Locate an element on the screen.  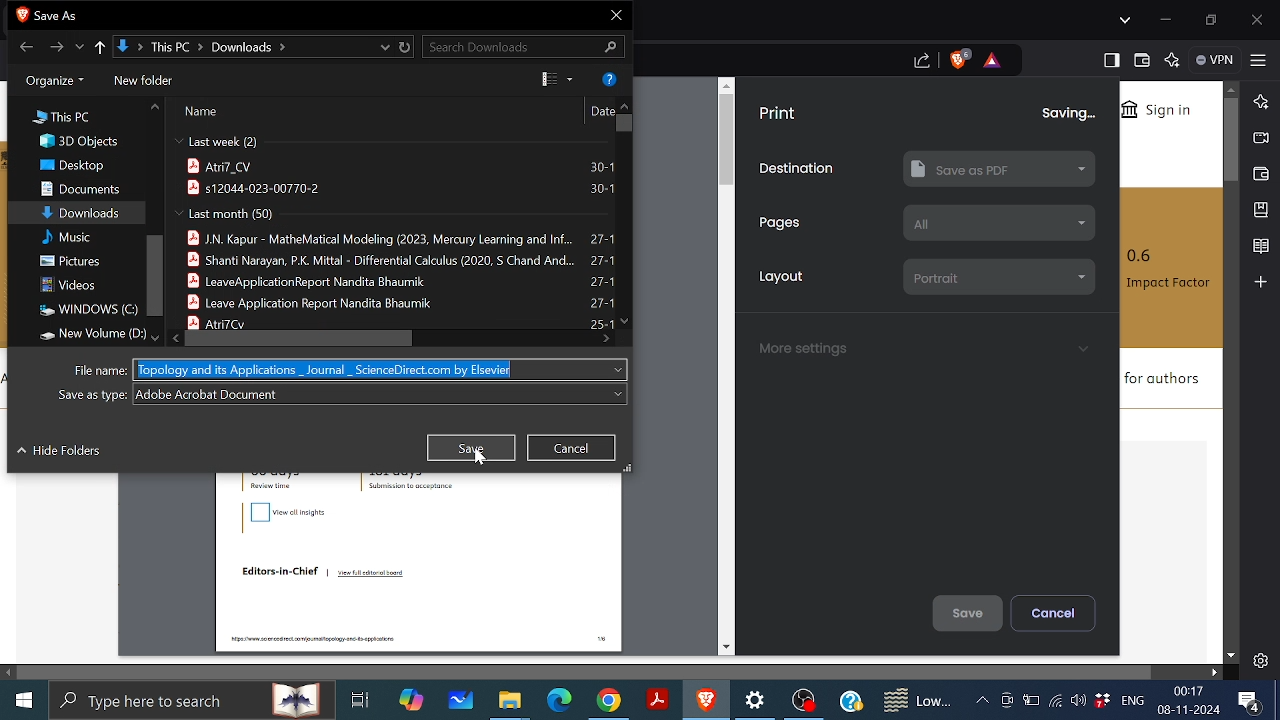
Back to downloads is located at coordinates (25, 48).